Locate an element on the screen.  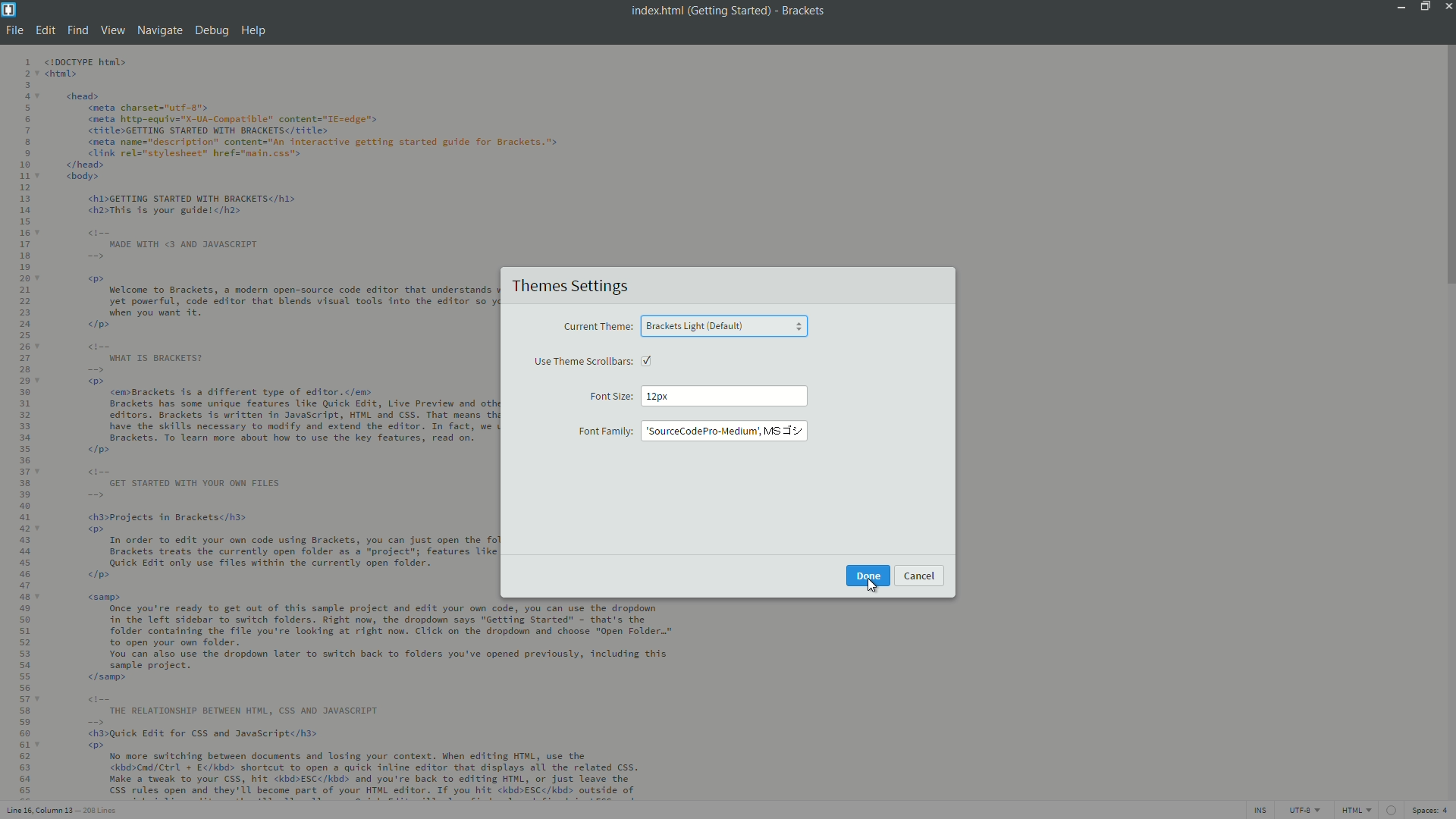
font family is located at coordinates (604, 432).